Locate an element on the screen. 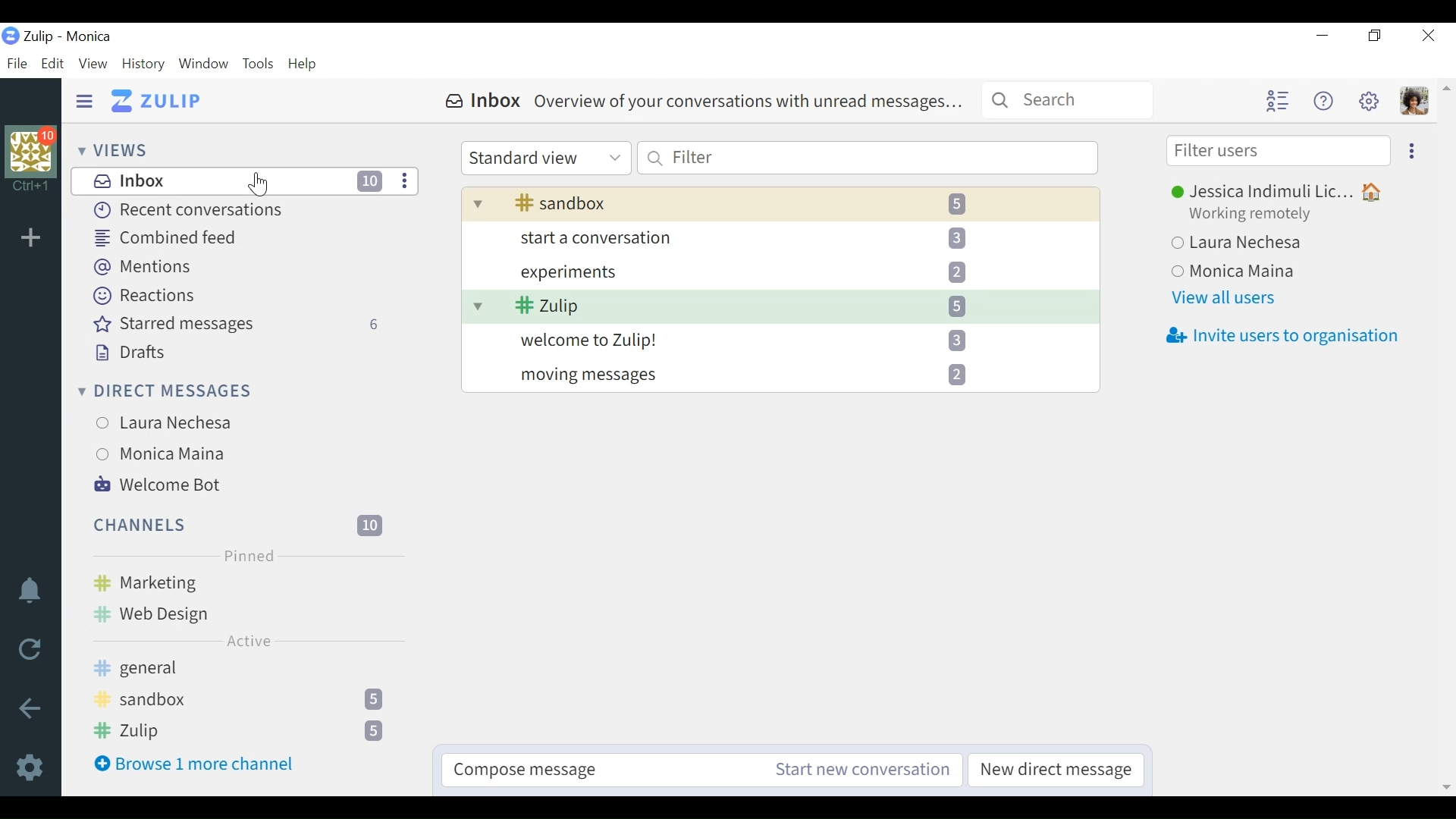 This screenshot has height=819, width=1456. View all users is located at coordinates (1228, 300).